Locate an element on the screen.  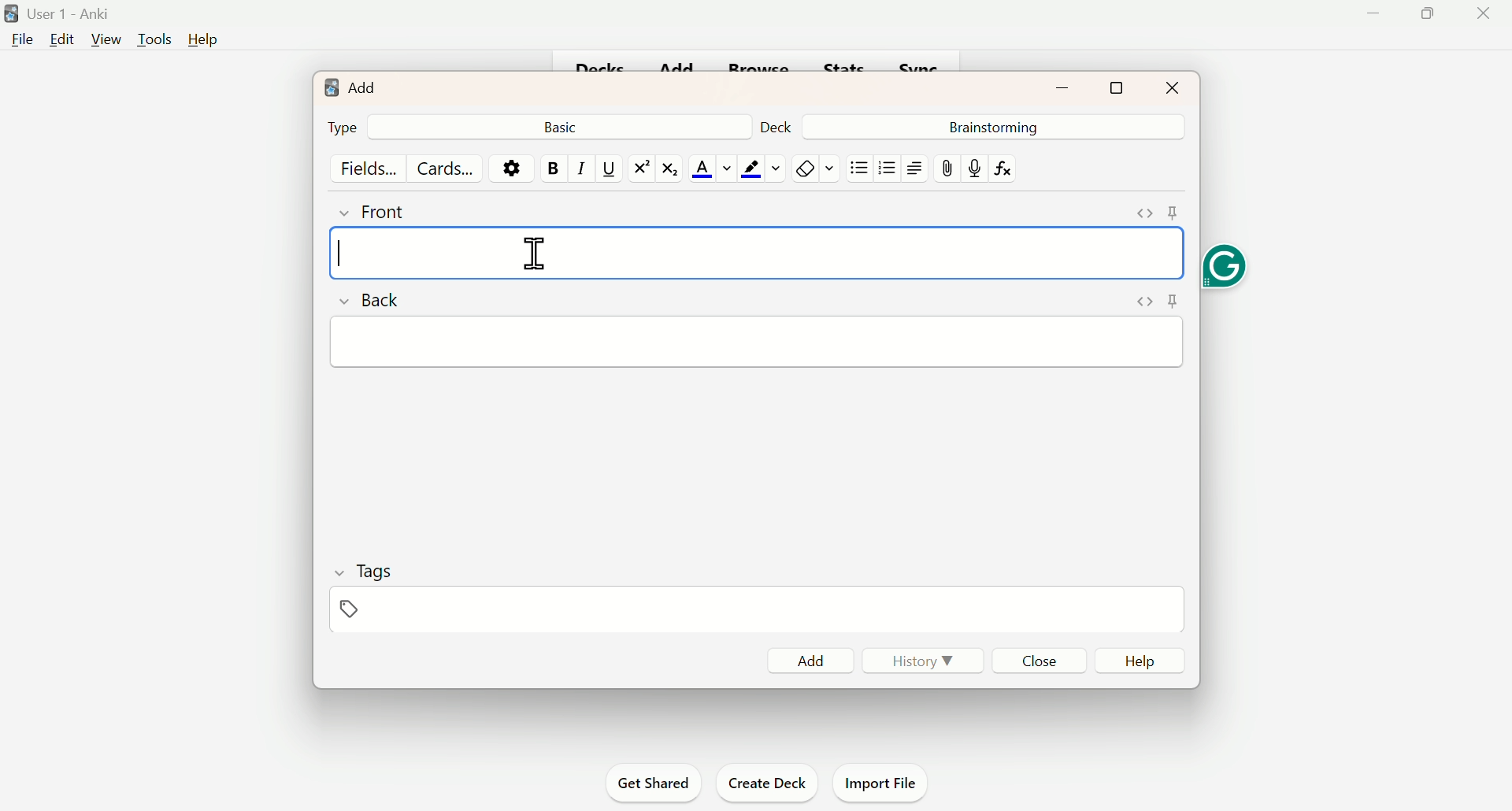
 is located at coordinates (350, 128).